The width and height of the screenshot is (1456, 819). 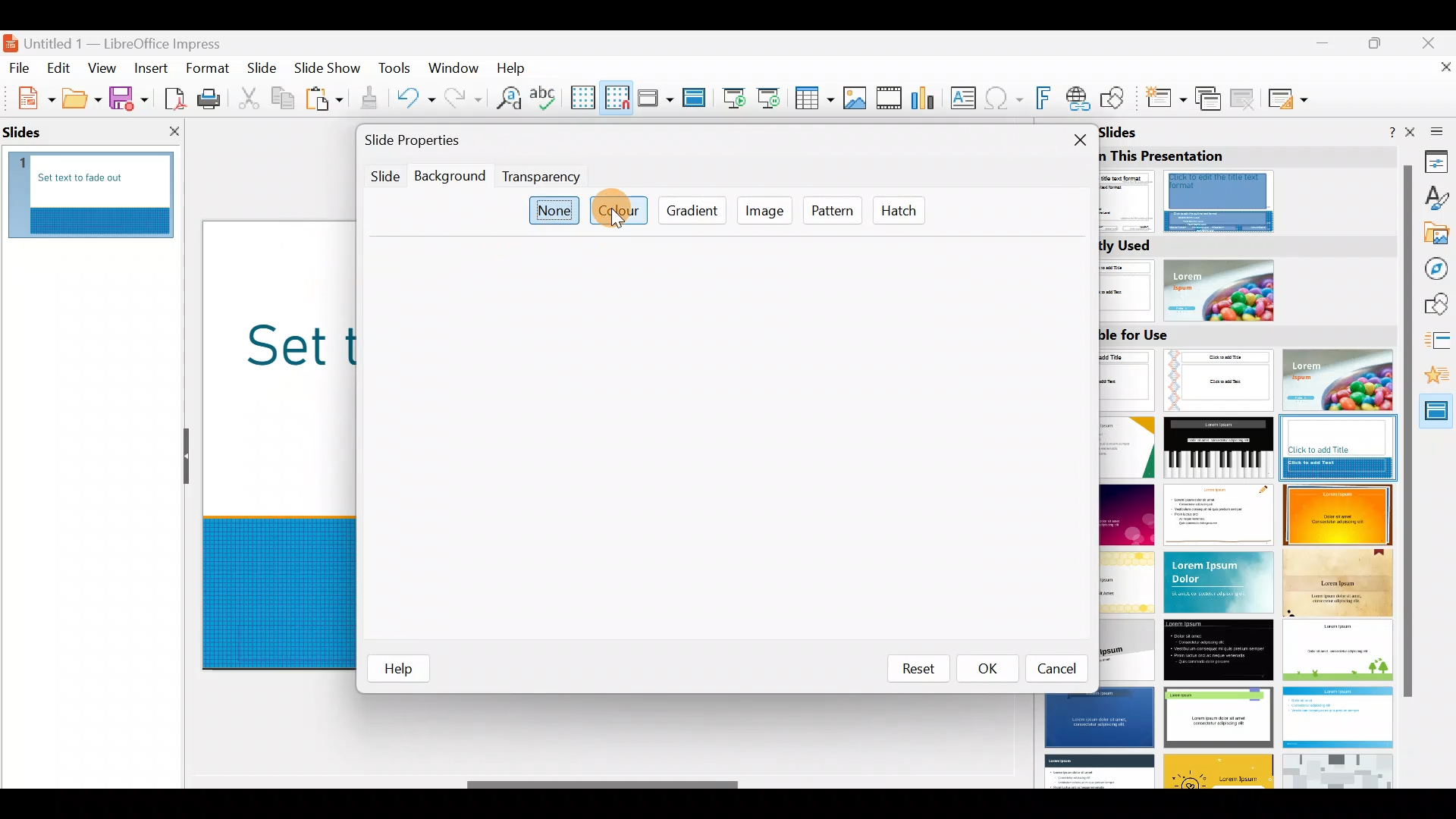 What do you see at coordinates (553, 211) in the screenshot?
I see `None` at bounding box center [553, 211].